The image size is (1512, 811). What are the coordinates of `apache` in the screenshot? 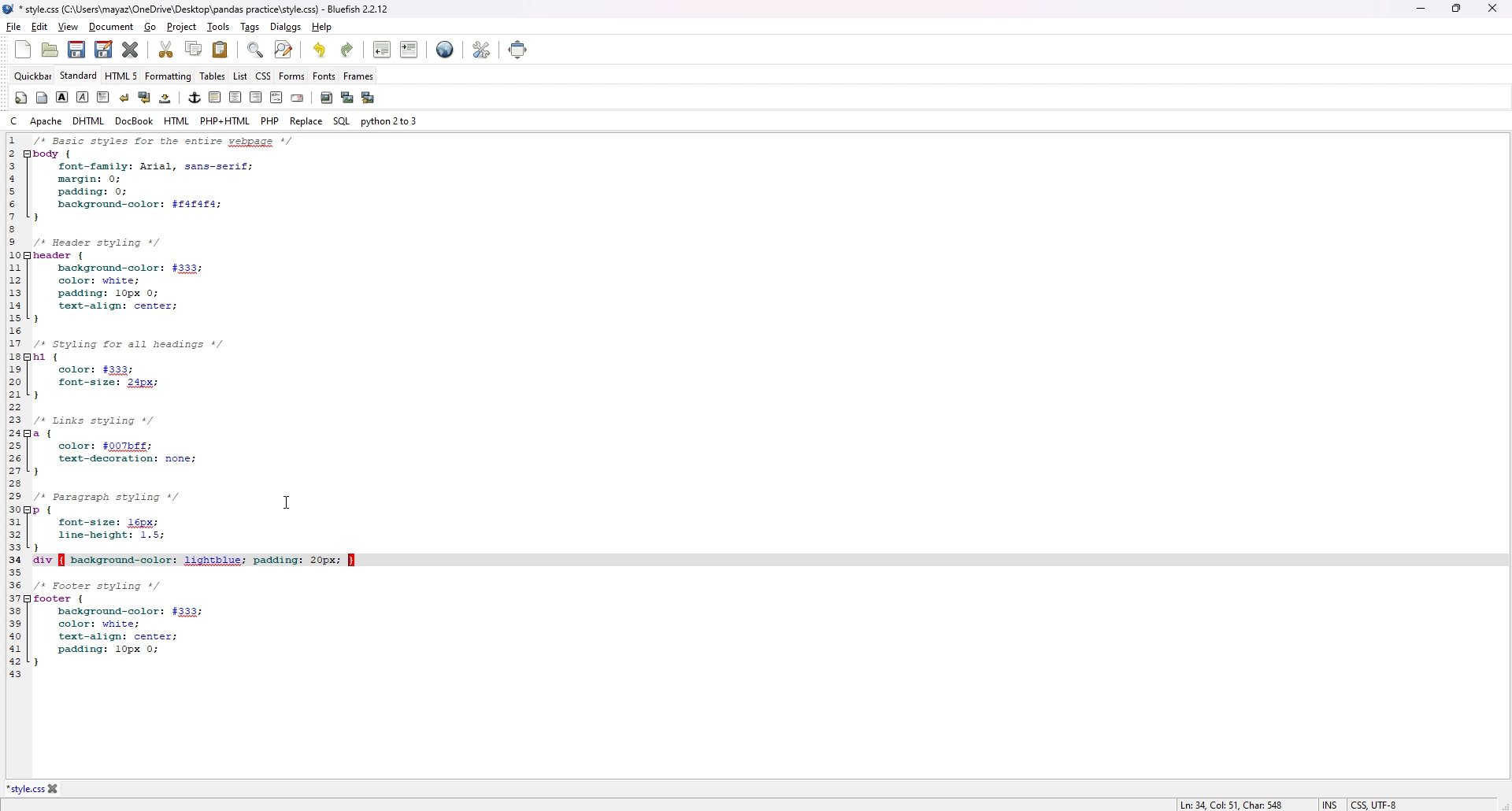 It's located at (46, 120).